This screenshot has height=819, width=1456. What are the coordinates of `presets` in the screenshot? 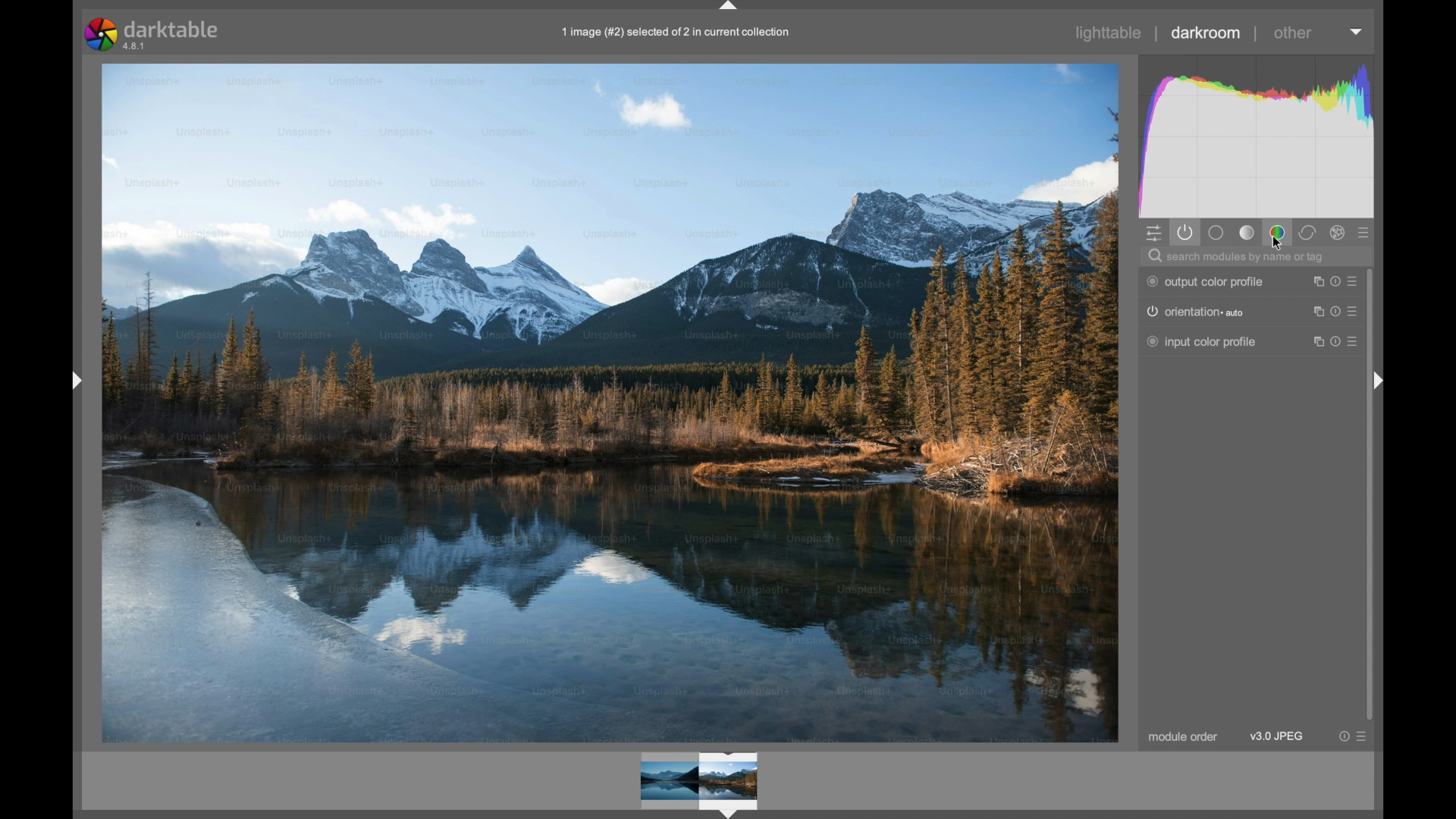 It's located at (1356, 313).